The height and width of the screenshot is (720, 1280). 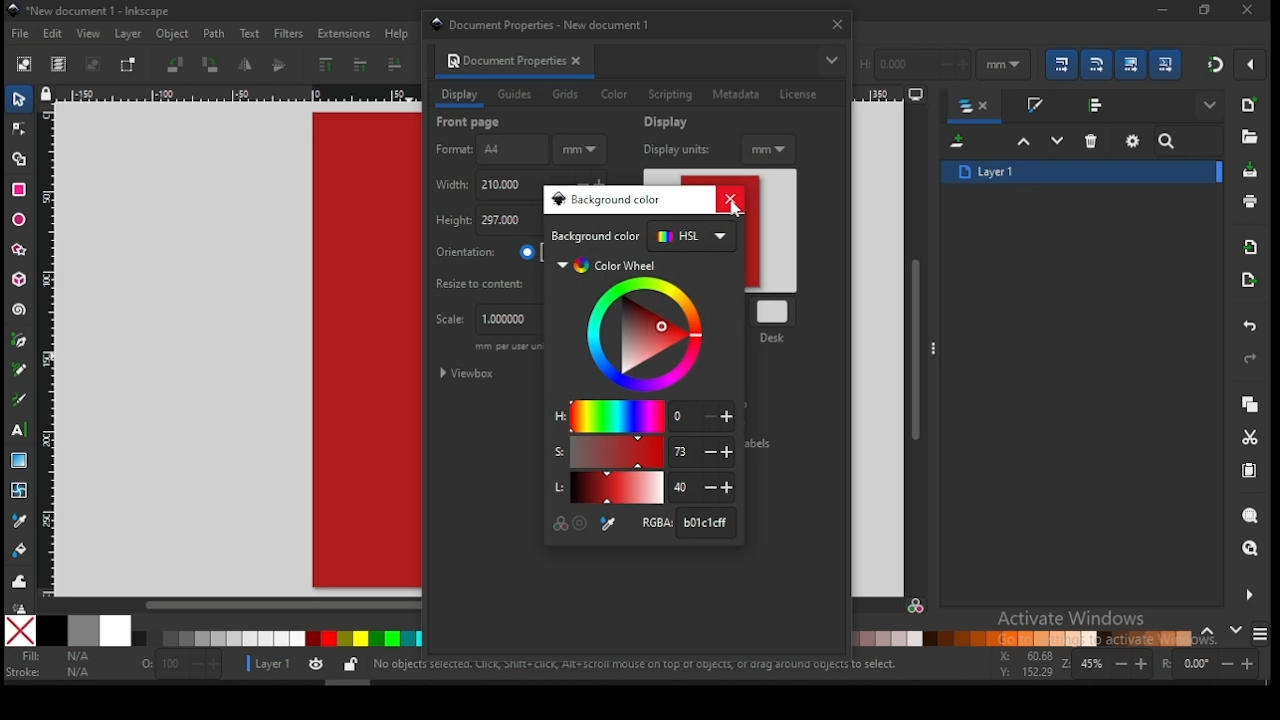 What do you see at coordinates (609, 524) in the screenshot?
I see `pick color from image` at bounding box center [609, 524].